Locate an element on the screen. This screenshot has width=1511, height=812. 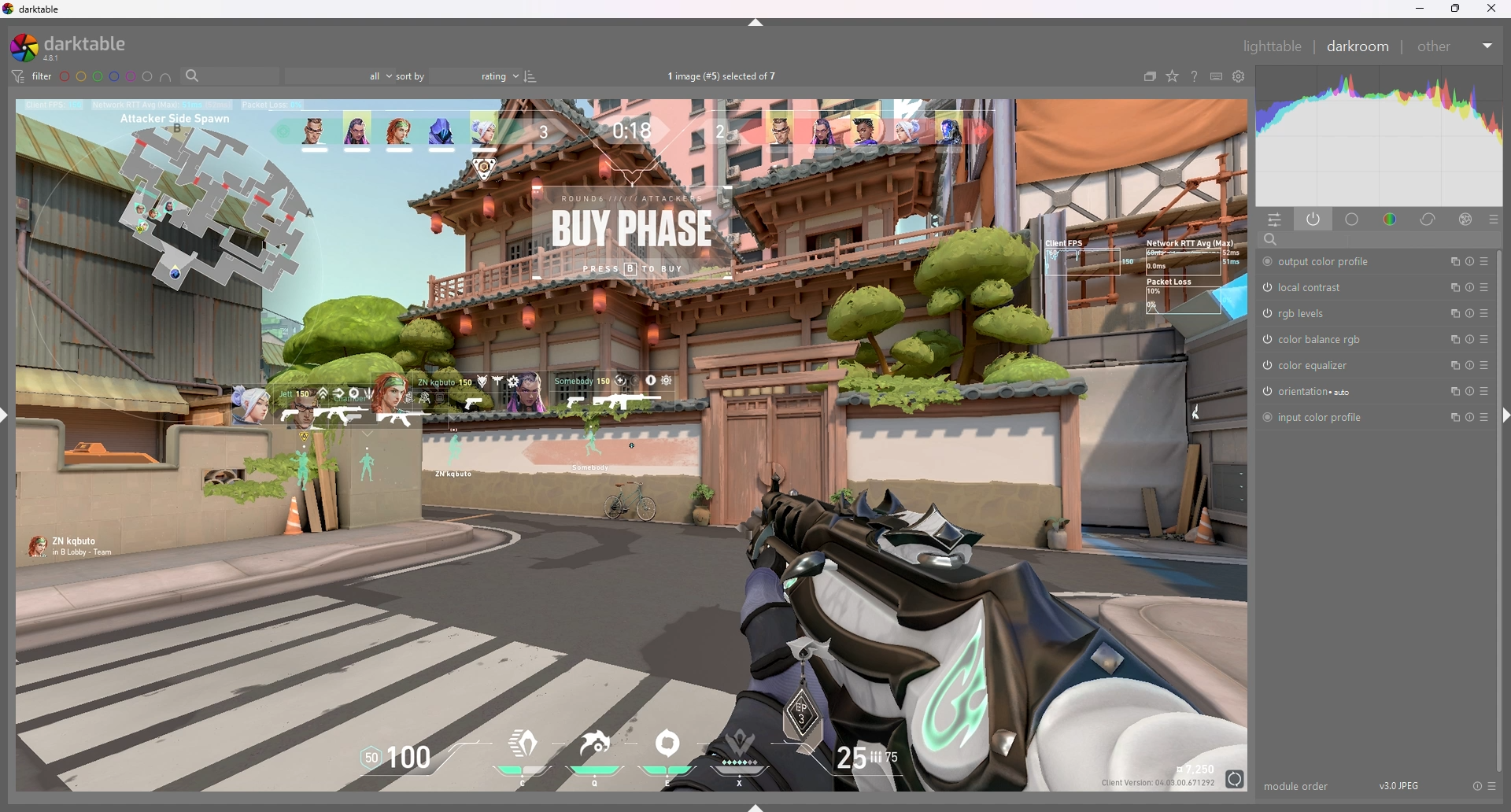
color equalizer is located at coordinates (1309, 365).